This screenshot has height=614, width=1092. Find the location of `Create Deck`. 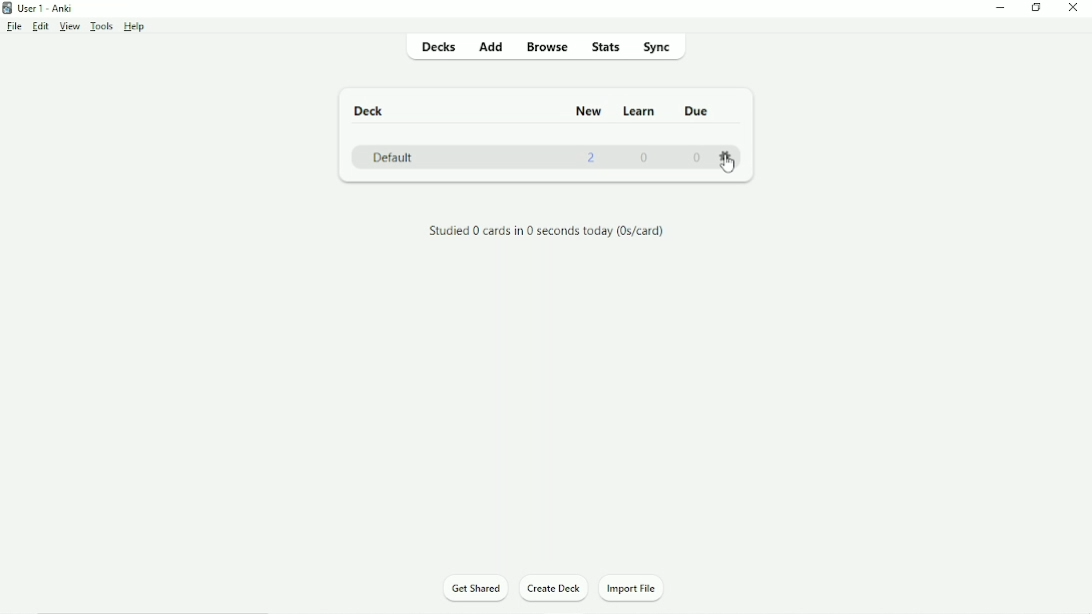

Create Deck is located at coordinates (554, 589).